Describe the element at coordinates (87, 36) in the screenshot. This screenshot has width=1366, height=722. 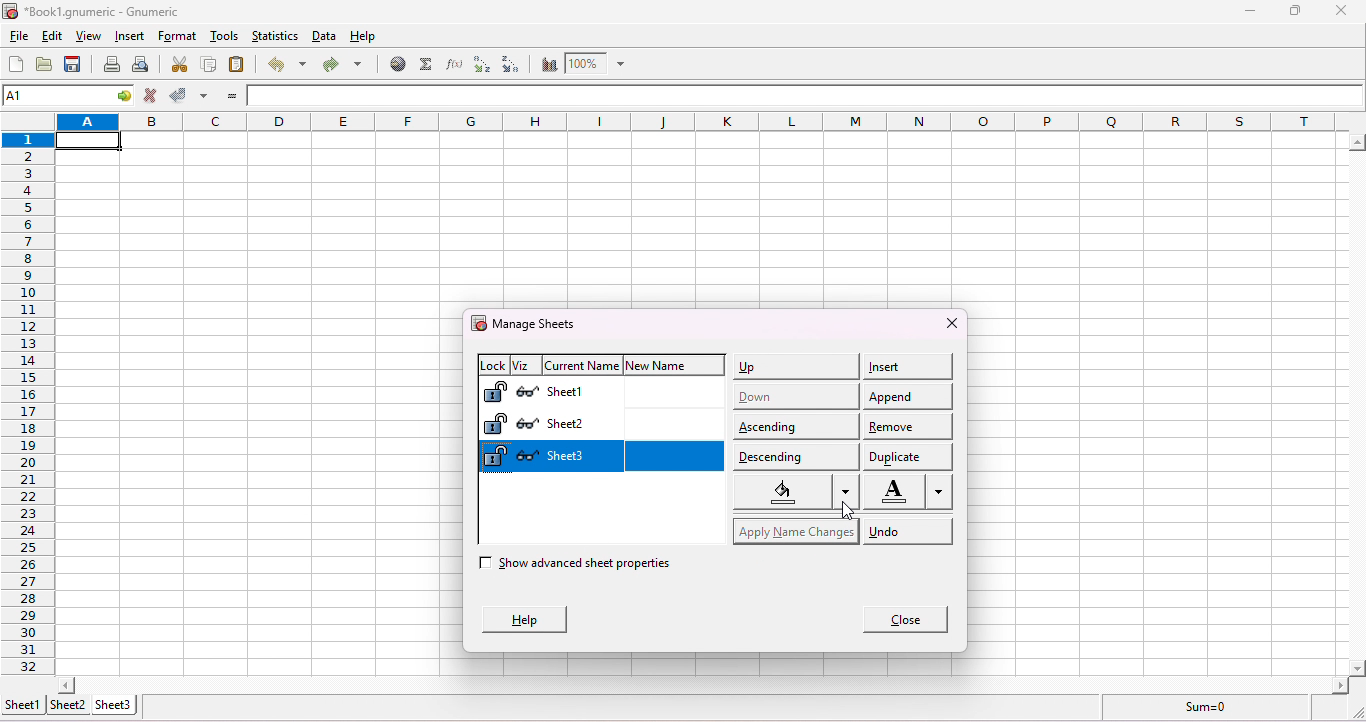
I see `view` at that location.